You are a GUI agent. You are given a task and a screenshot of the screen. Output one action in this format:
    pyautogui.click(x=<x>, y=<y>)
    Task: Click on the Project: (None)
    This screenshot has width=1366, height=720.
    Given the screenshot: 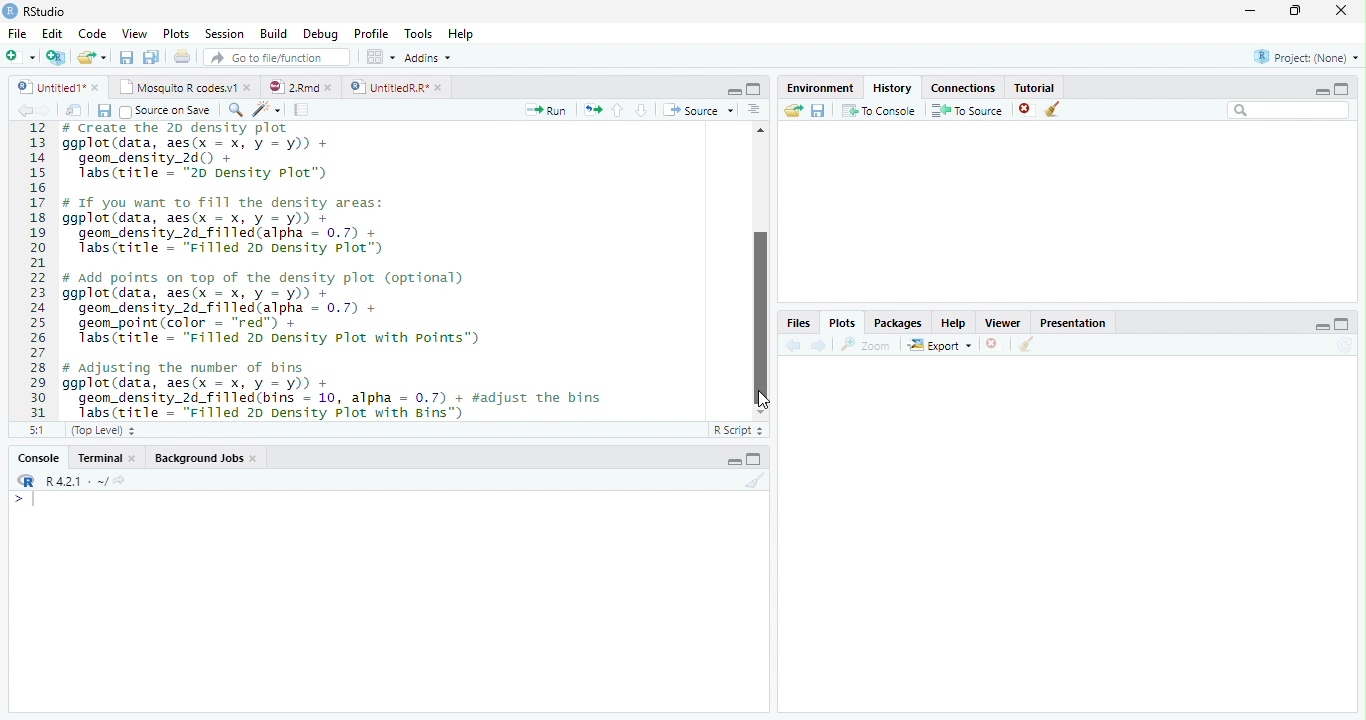 What is the action you would take?
    pyautogui.click(x=1305, y=57)
    